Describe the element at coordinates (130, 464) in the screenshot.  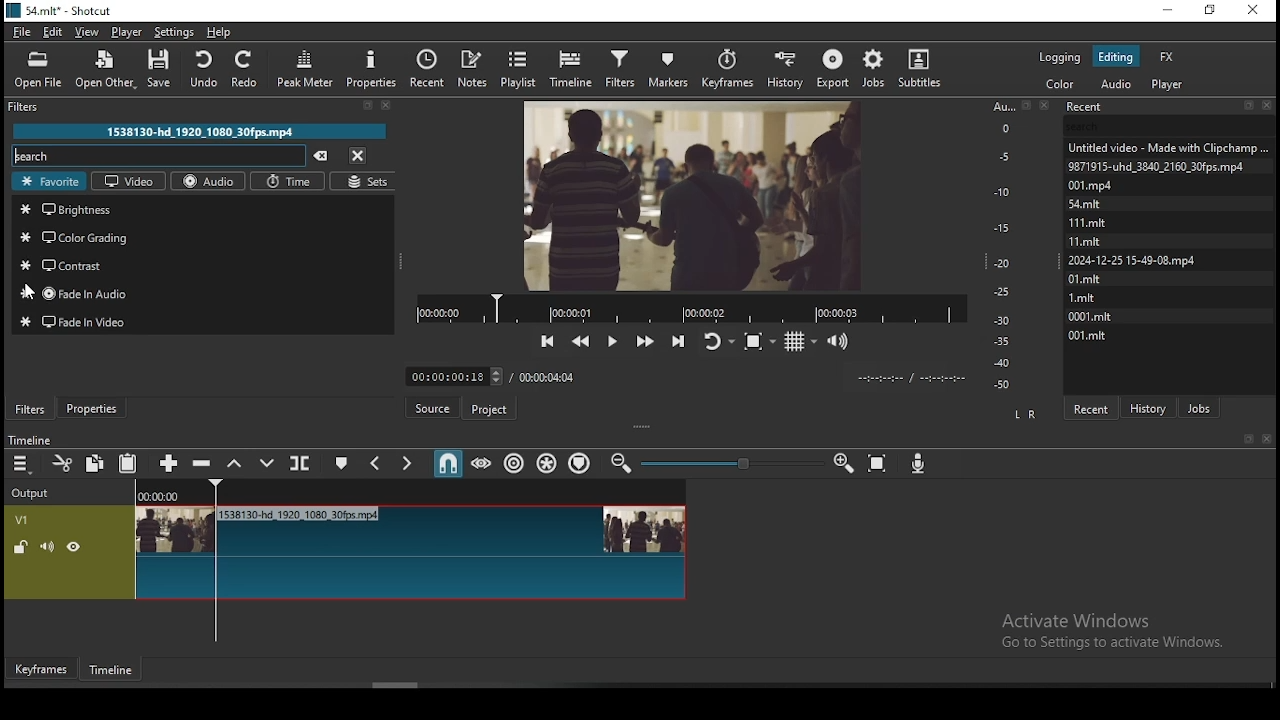
I see `paste` at that location.